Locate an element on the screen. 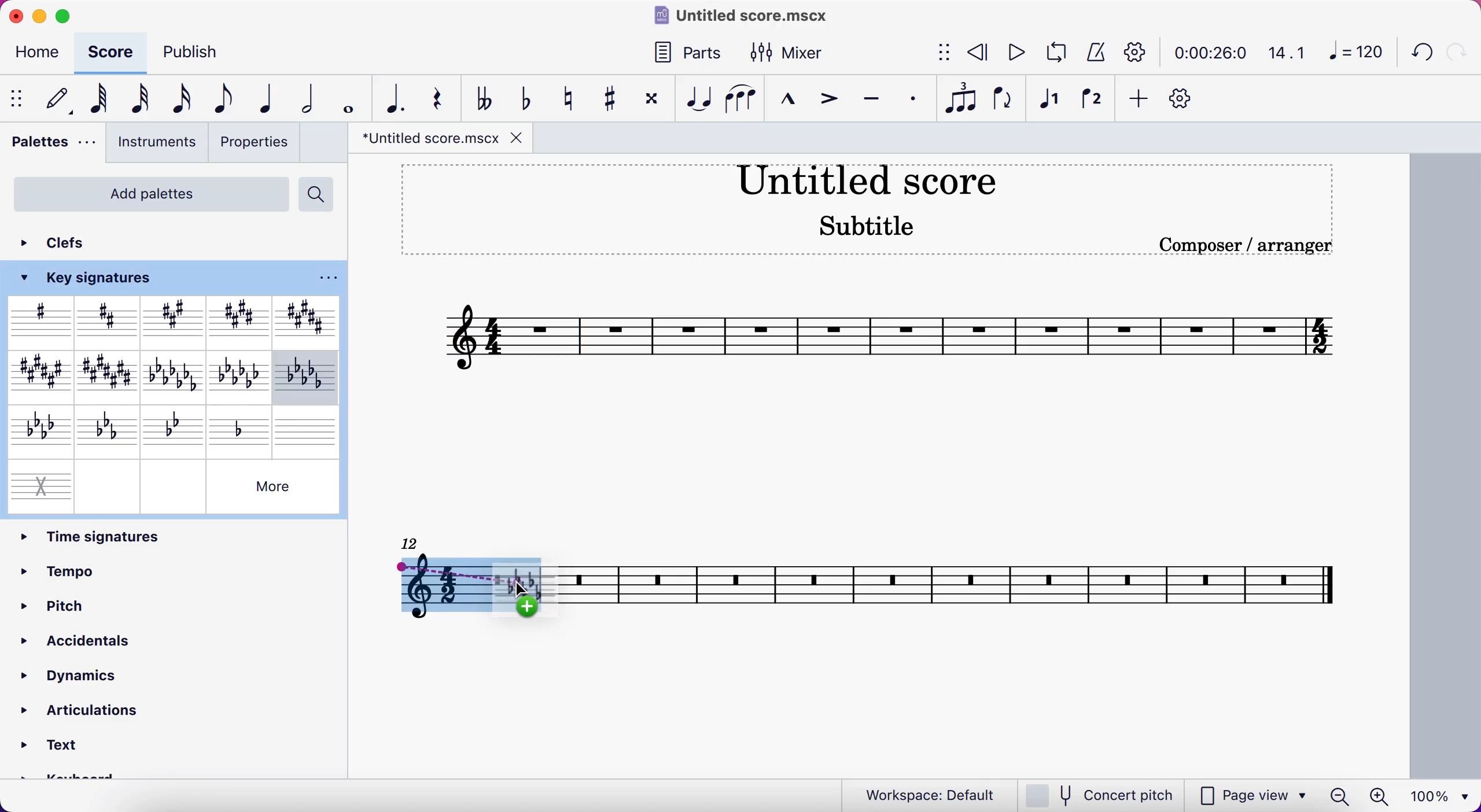 The height and width of the screenshot is (812, 1481). page view is located at coordinates (1251, 795).